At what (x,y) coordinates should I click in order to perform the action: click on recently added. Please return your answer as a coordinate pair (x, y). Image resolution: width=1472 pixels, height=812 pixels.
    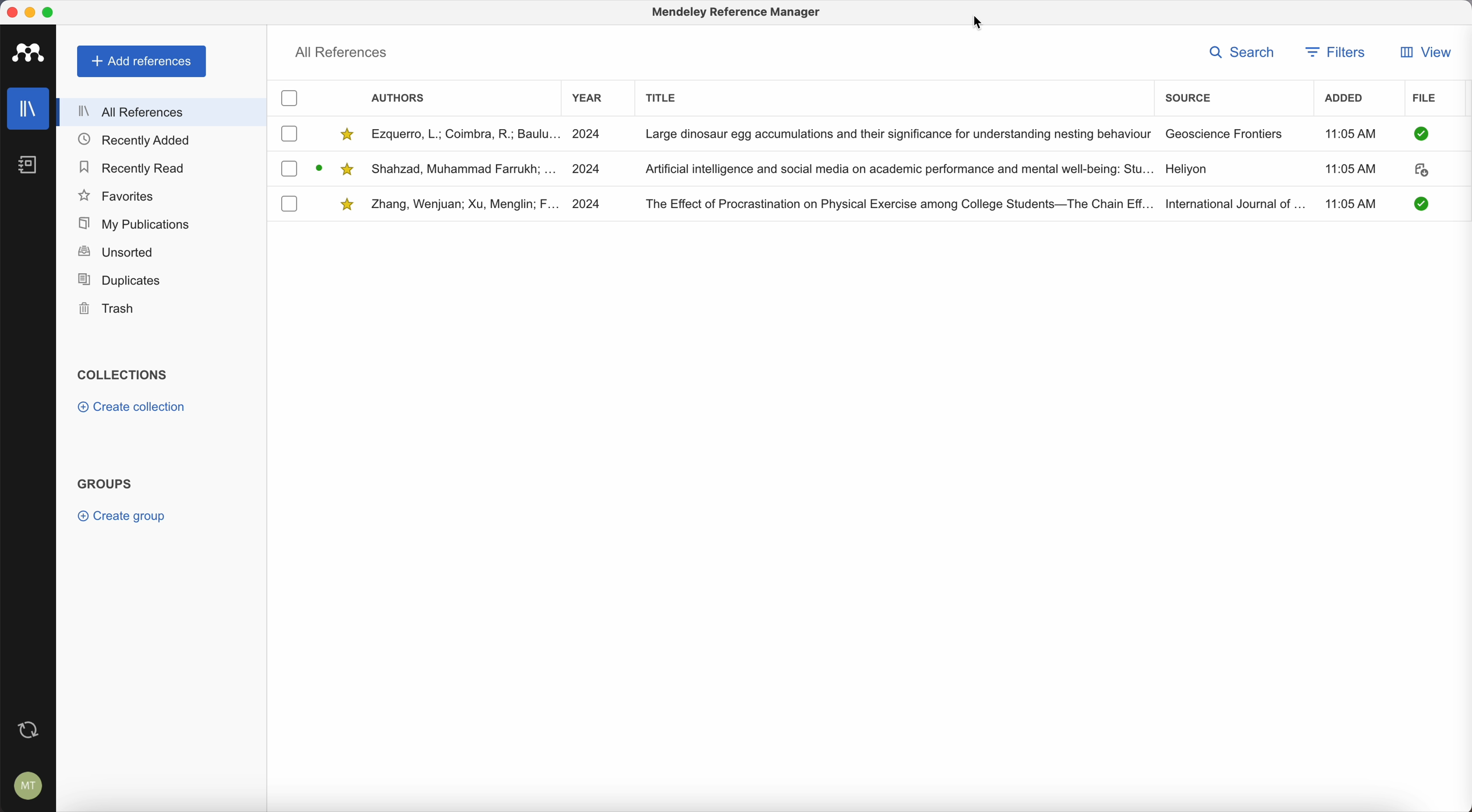
    Looking at the image, I should click on (139, 141).